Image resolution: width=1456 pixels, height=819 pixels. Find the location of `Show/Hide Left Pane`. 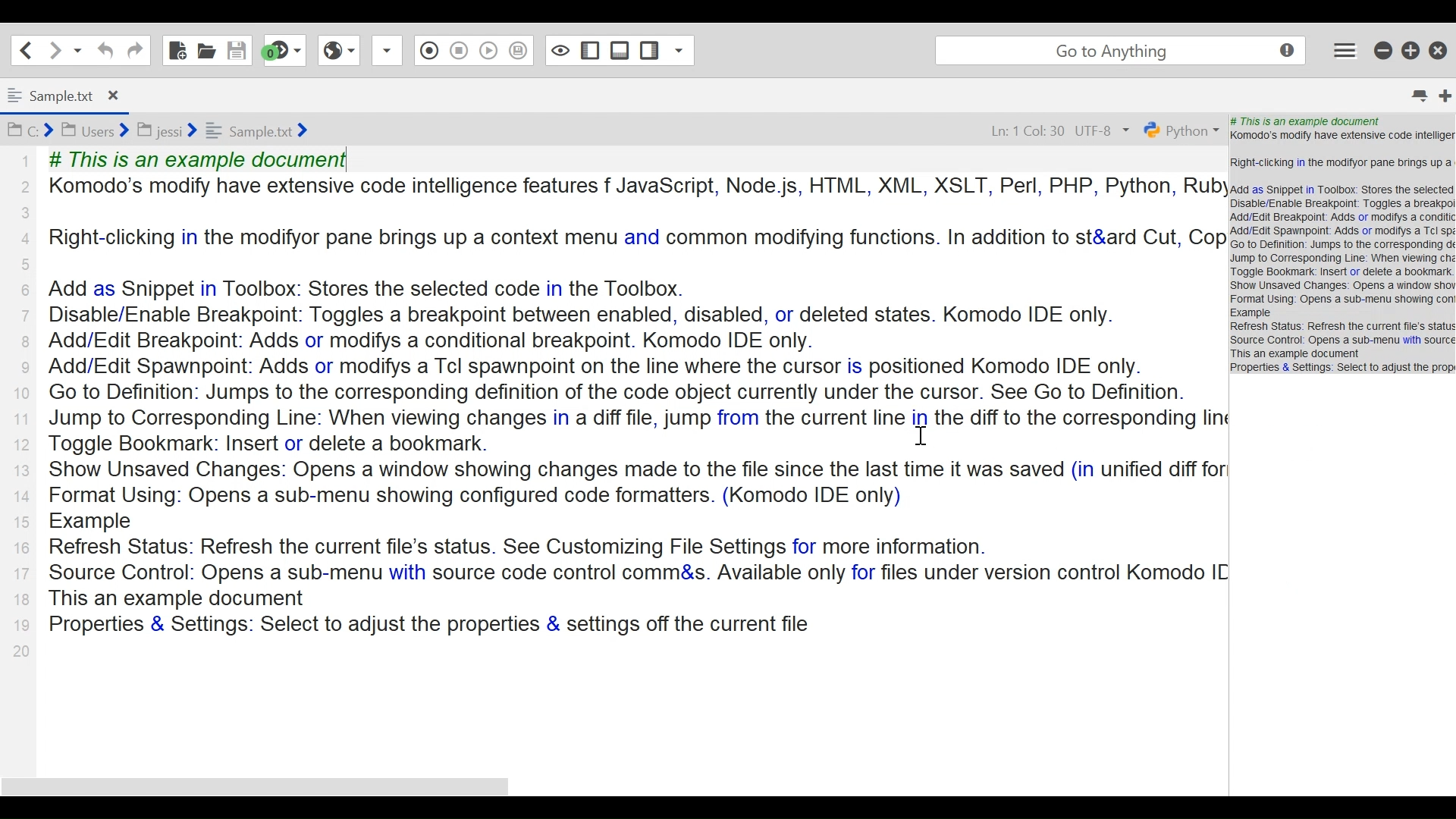

Show/Hide Left Pane is located at coordinates (621, 50).